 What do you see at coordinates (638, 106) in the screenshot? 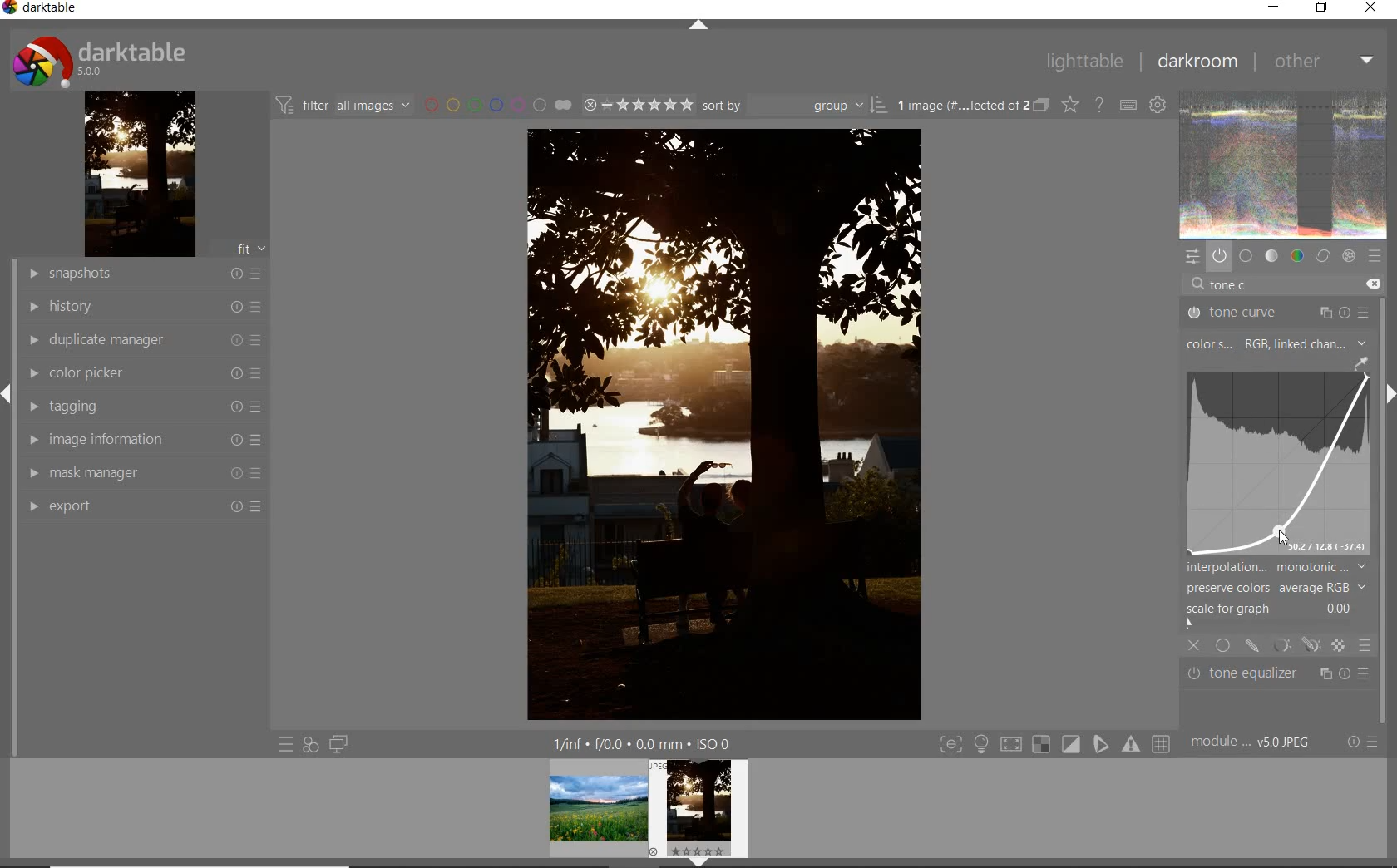
I see `selected Image range rating` at bounding box center [638, 106].